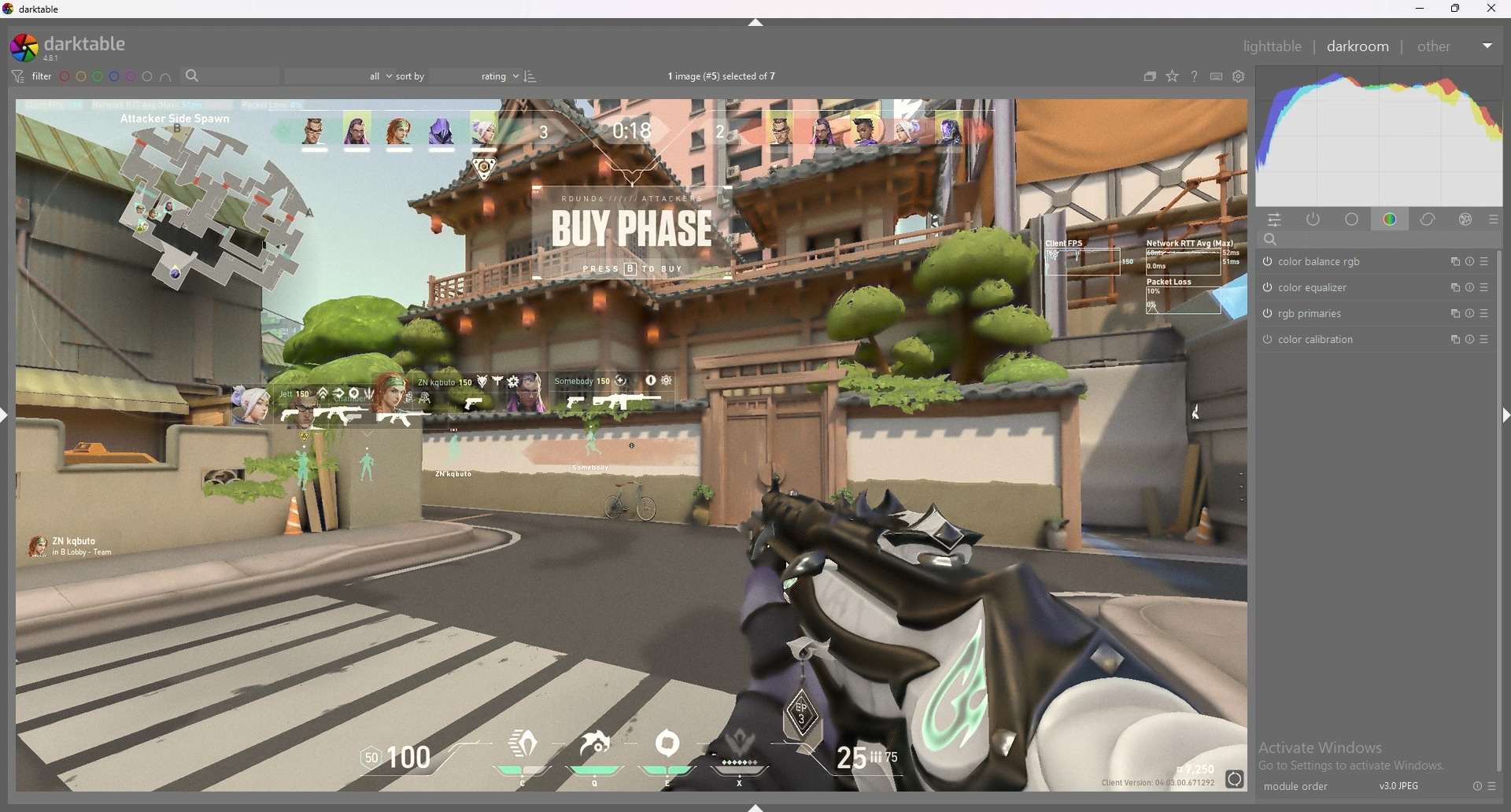 The image size is (1511, 812). I want to click on resize, so click(1456, 9).